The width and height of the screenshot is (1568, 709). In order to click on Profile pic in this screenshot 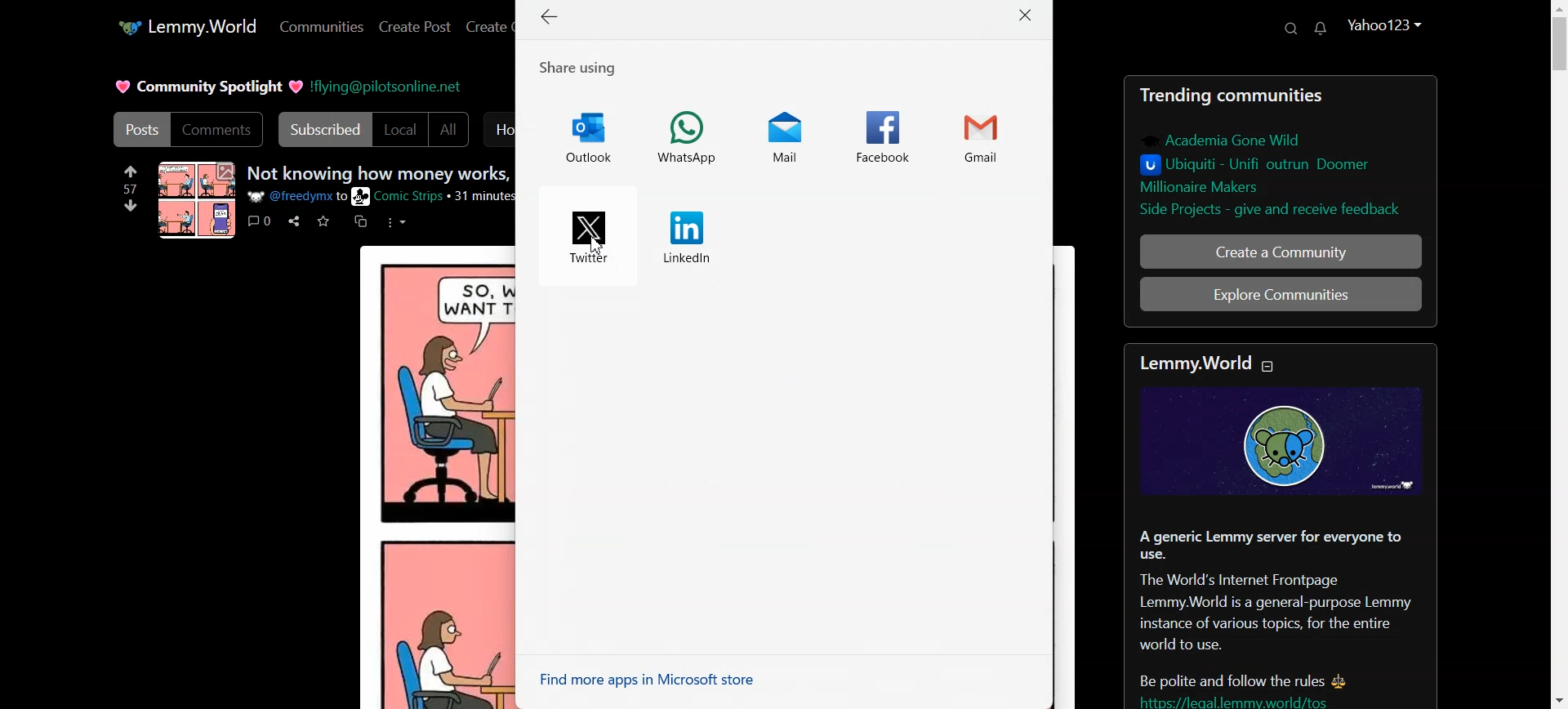, I will do `click(198, 199)`.